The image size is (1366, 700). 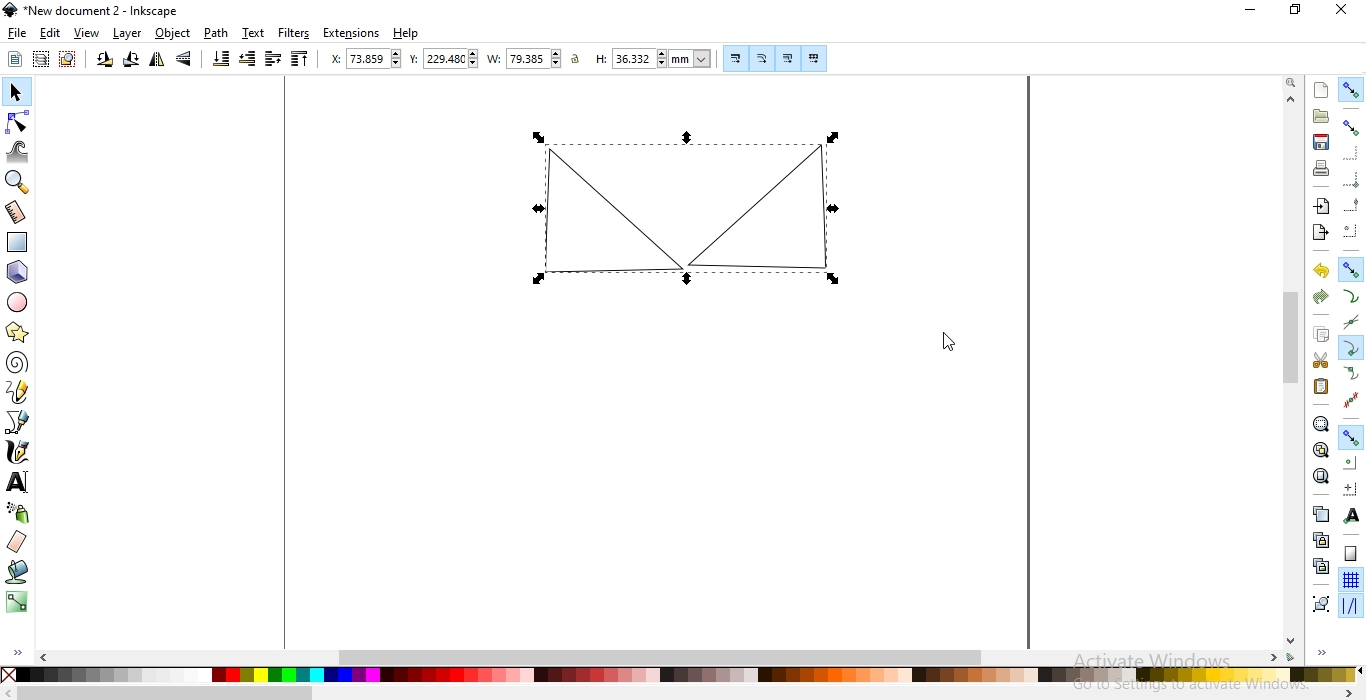 I want to click on create and edit gradients, so click(x=15, y=602).